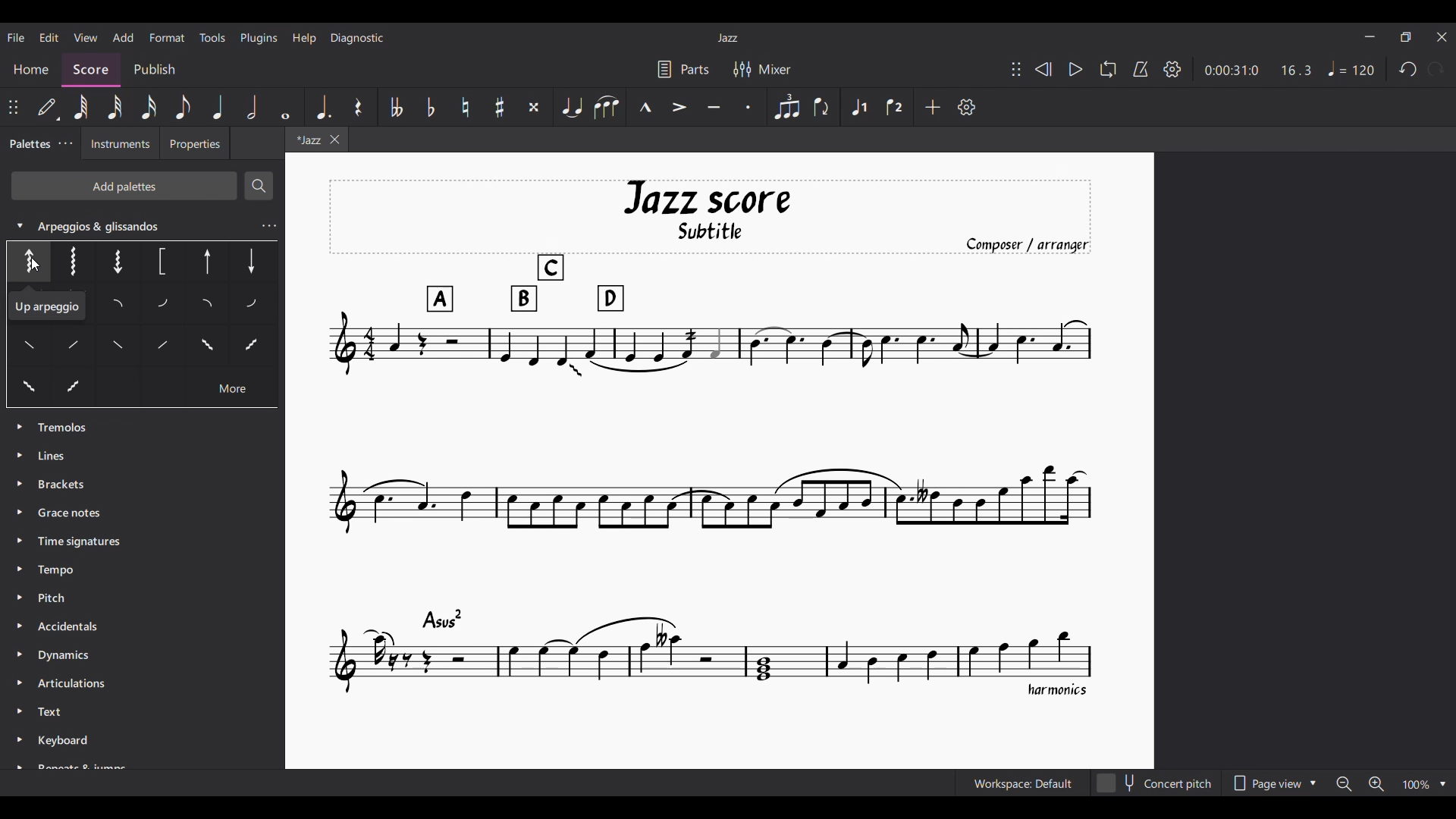 Image resolution: width=1456 pixels, height=819 pixels. Describe the element at coordinates (120, 347) in the screenshot. I see `` at that location.